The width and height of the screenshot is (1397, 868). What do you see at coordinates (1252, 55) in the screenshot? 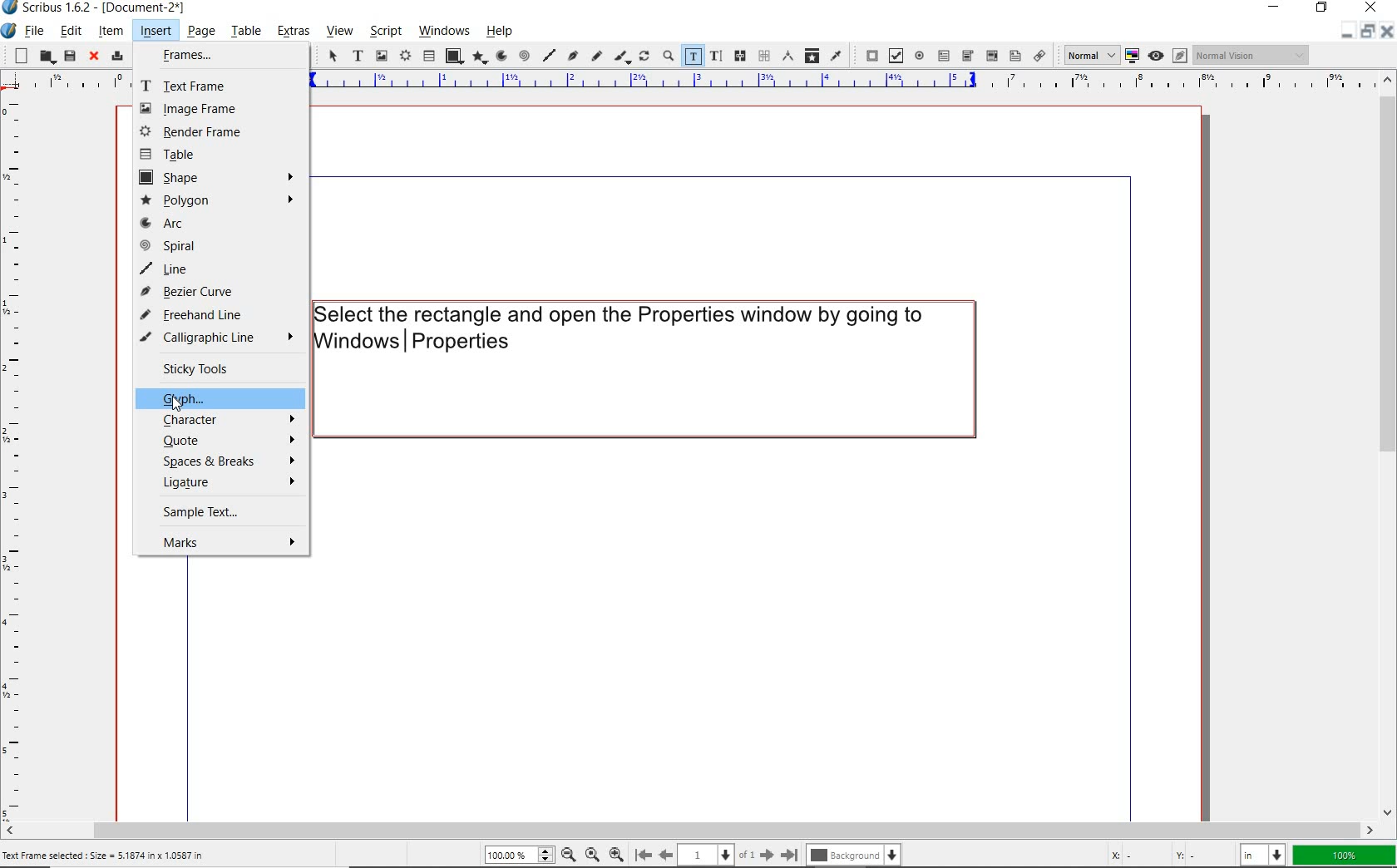
I see `Normal Vision` at bounding box center [1252, 55].